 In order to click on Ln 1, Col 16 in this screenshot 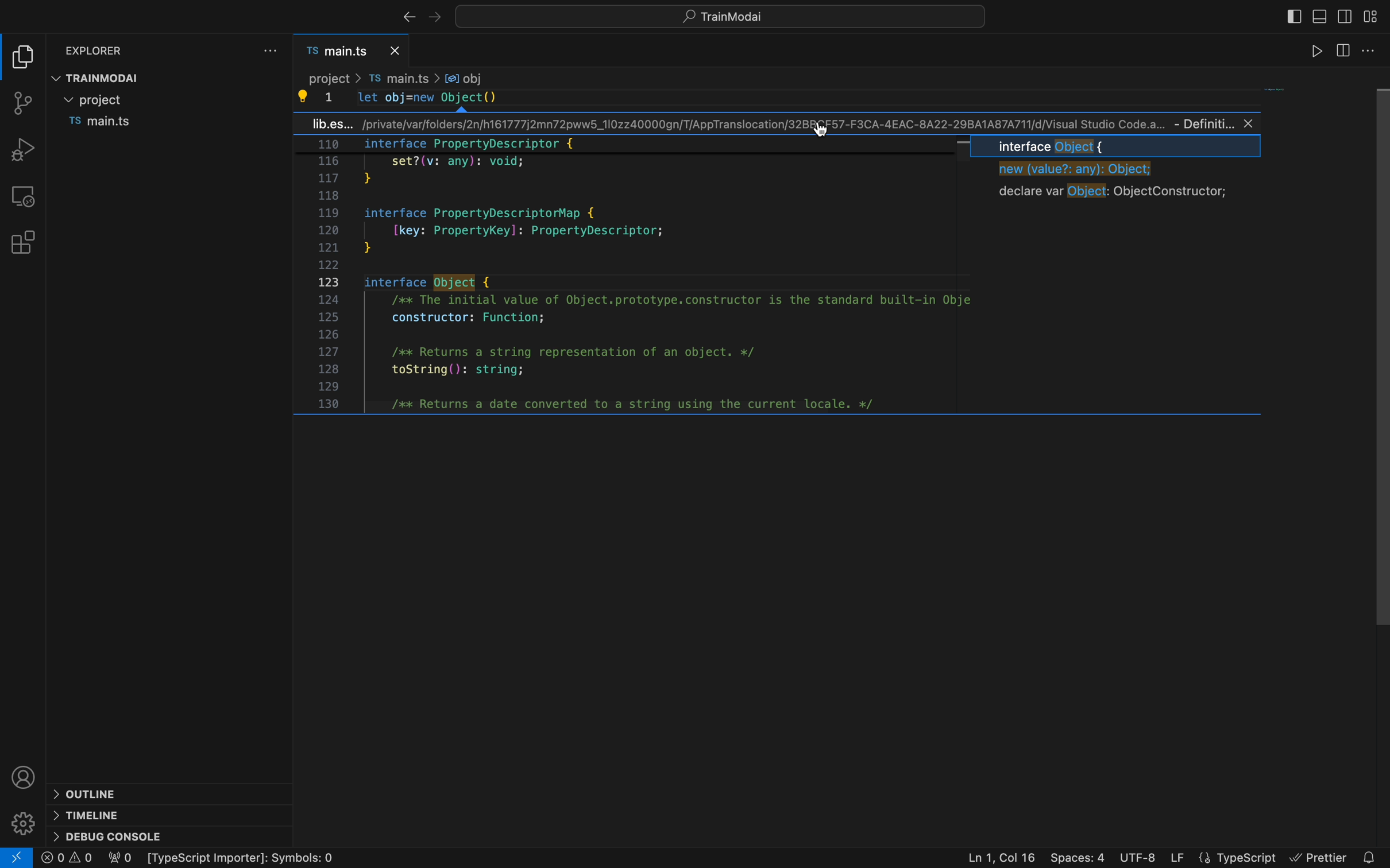, I will do `click(995, 856)`.